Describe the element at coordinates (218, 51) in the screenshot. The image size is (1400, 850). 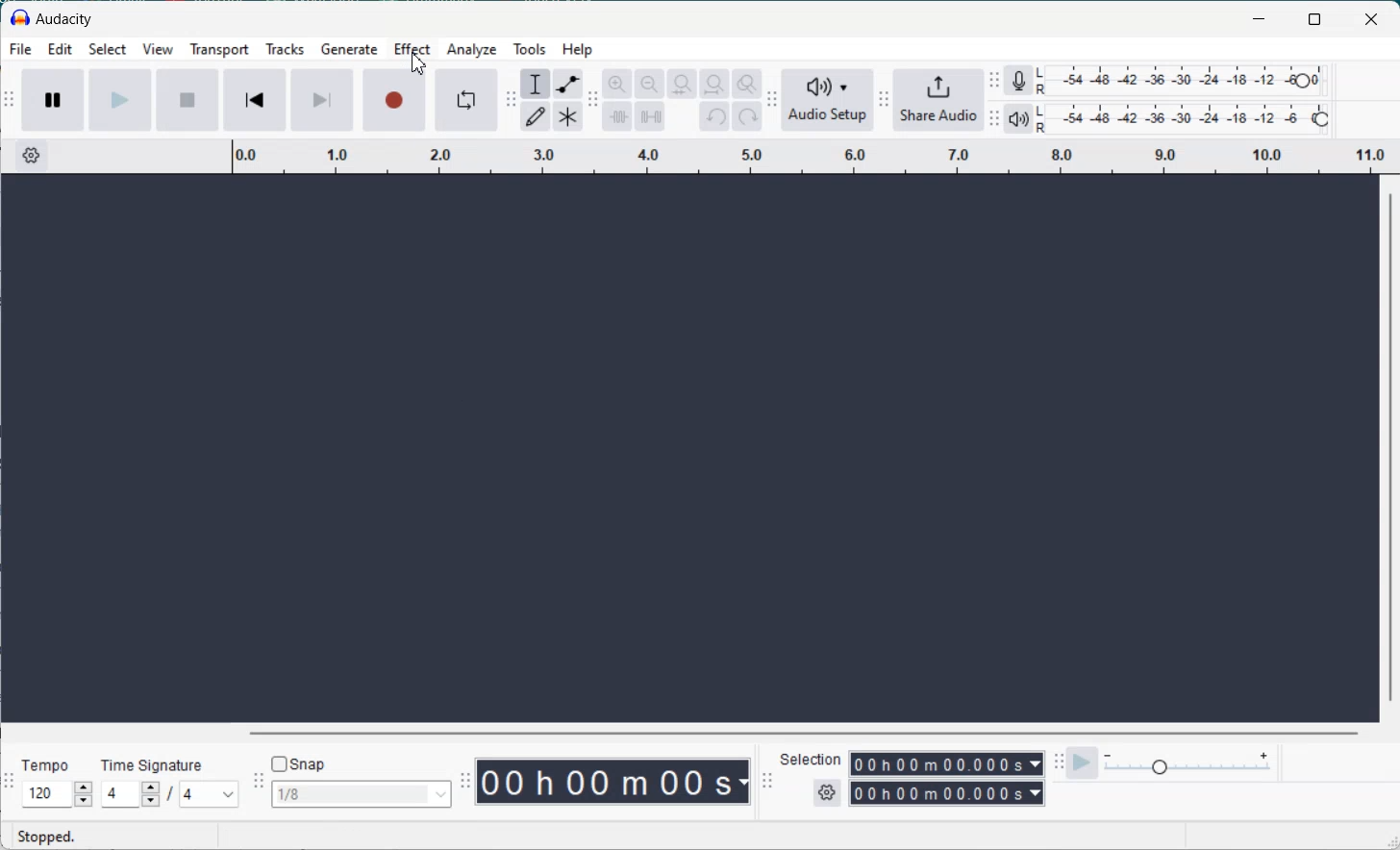
I see `Transport` at that location.